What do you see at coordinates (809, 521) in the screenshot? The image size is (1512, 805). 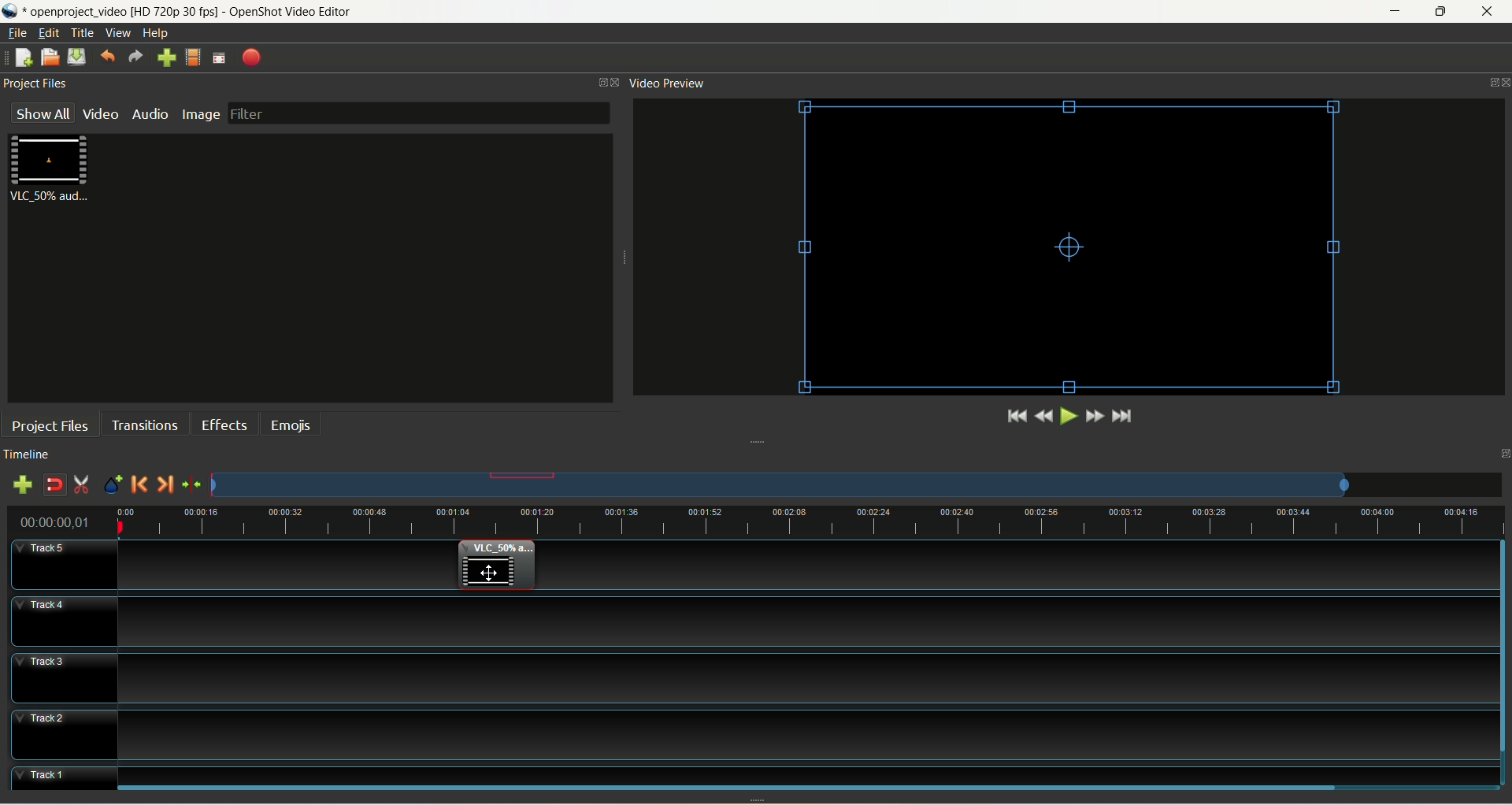 I see `zoom factor` at bounding box center [809, 521].